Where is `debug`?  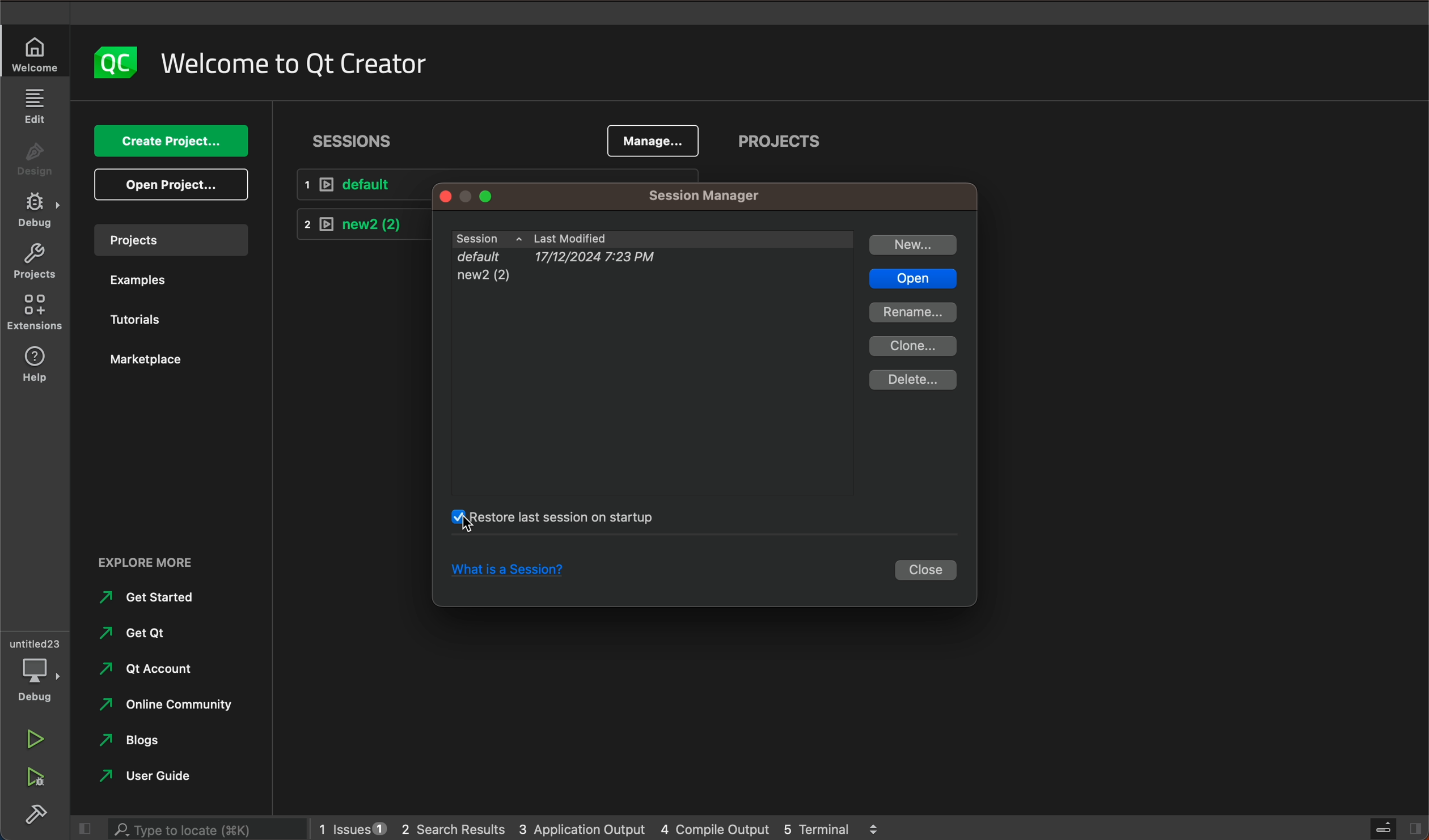
debug is located at coordinates (37, 669).